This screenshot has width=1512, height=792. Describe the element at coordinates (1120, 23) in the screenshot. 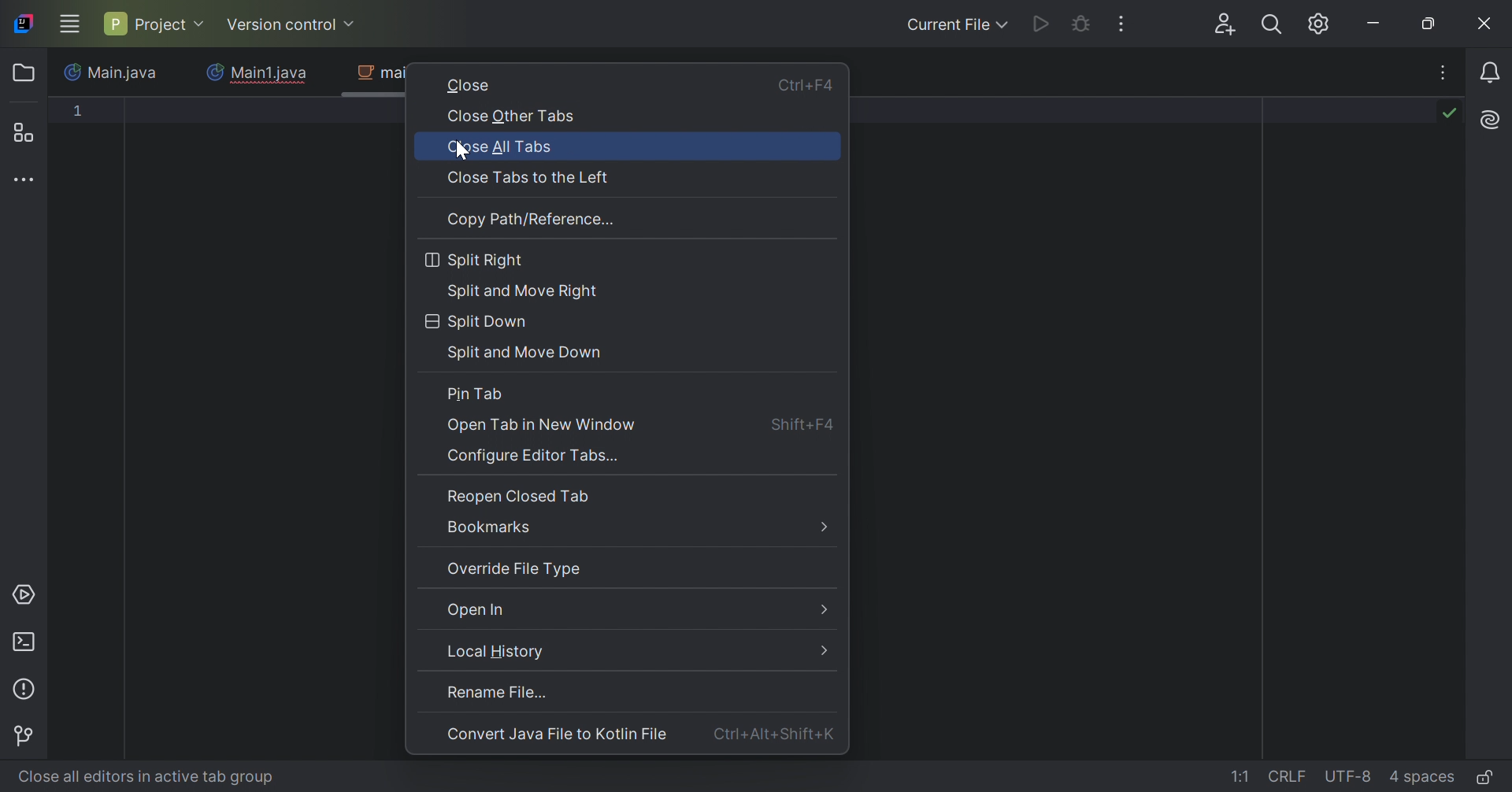

I see `More Actions` at that location.